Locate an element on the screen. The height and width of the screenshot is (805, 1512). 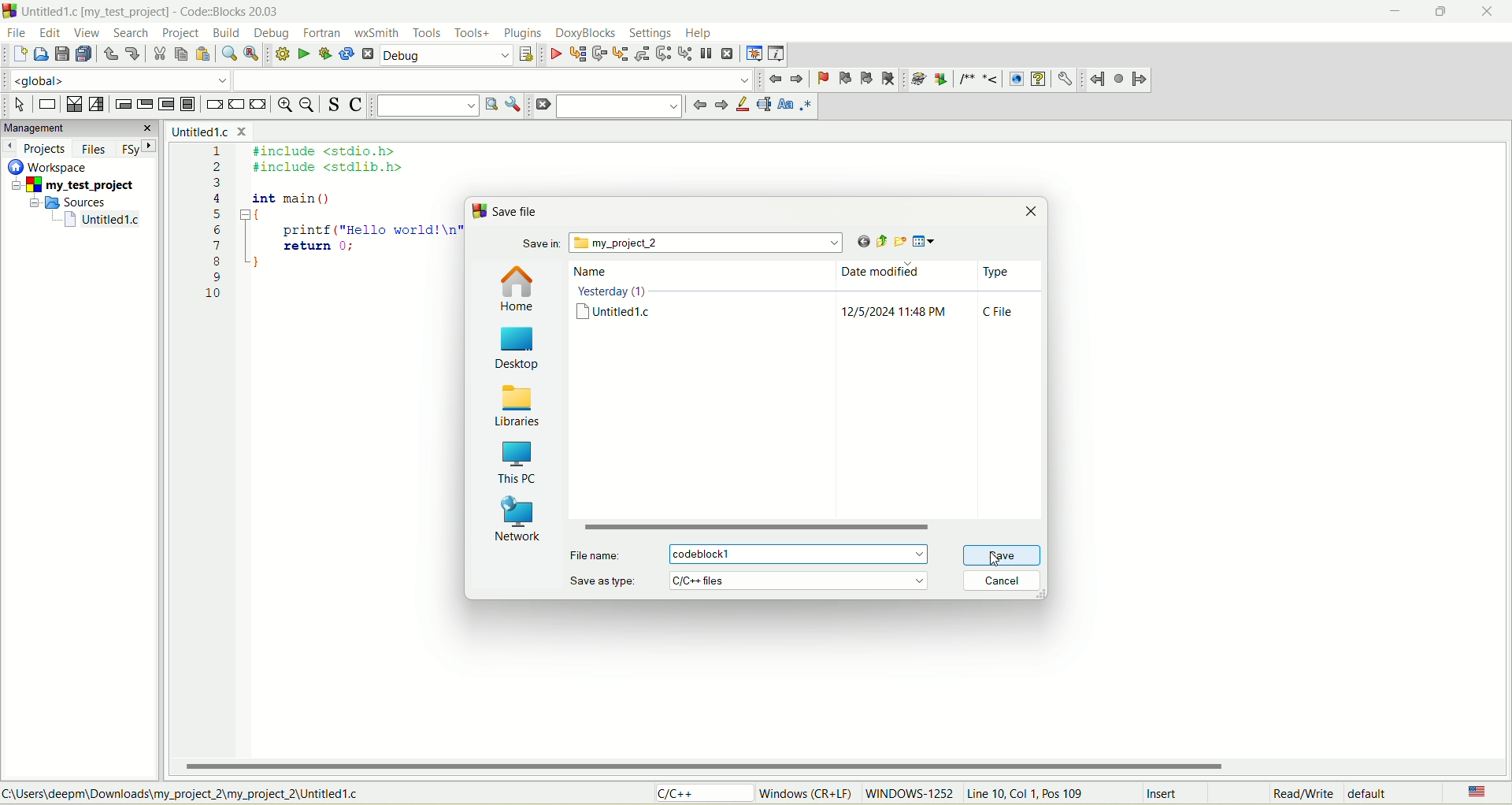
save is located at coordinates (998, 555).